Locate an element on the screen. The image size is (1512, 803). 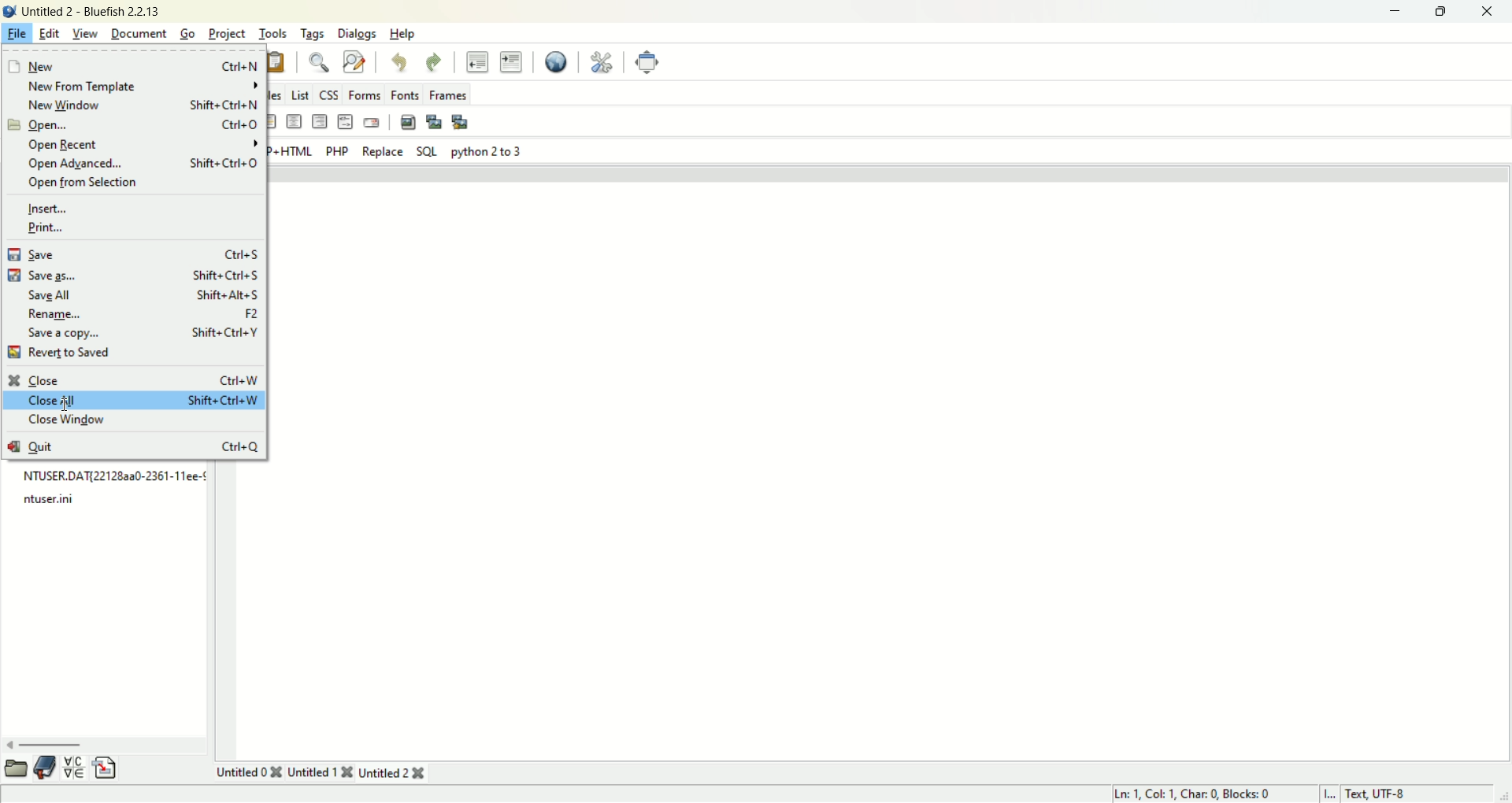
NTUSER DAT{221282a0-2361-11ee-9 is located at coordinates (113, 478).